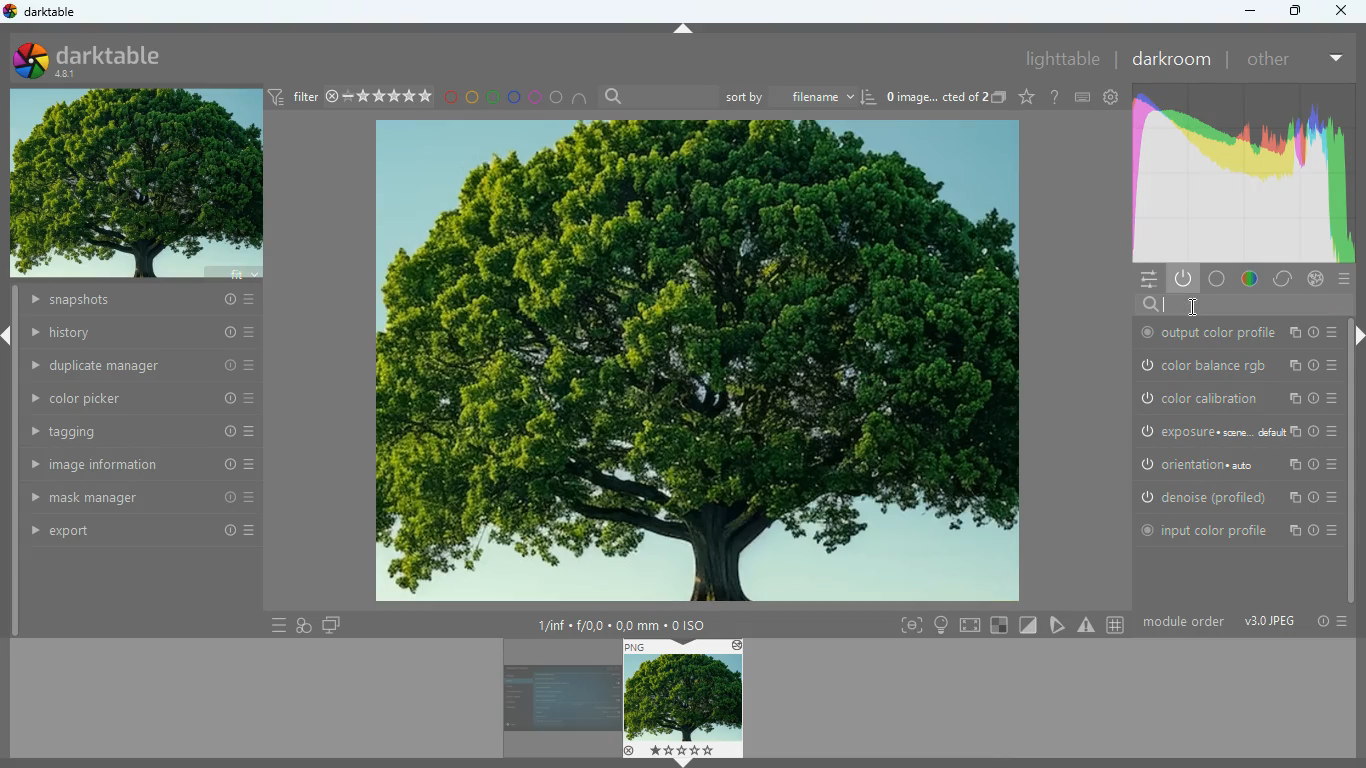 Image resolution: width=1366 pixels, height=768 pixels. I want to click on semi circle, so click(581, 98).